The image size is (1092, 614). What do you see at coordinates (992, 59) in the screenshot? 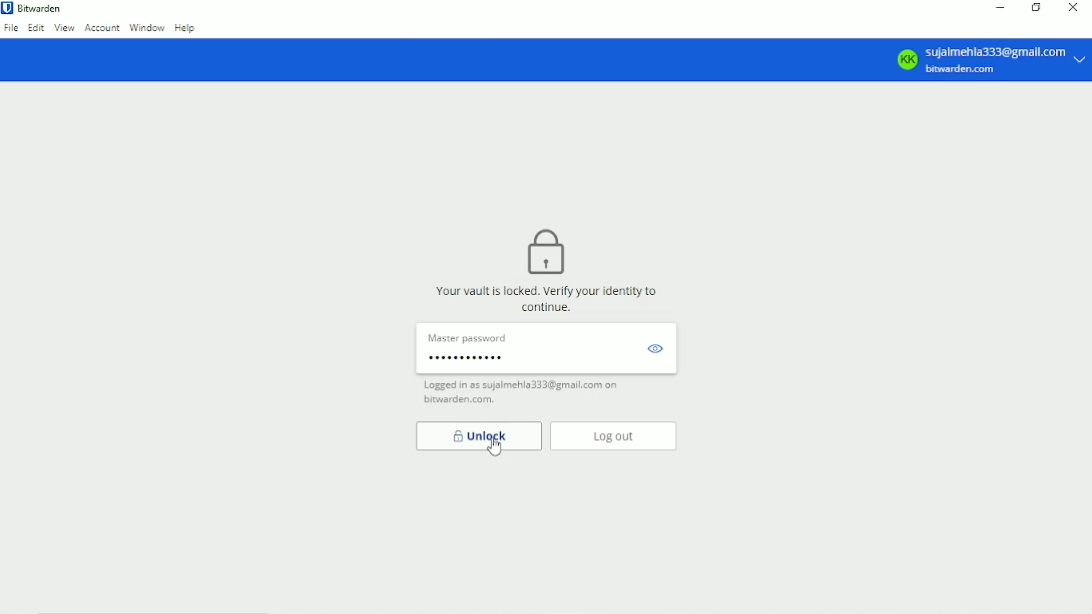
I see `sujaimehla333@gmall.com  bitwarden.com` at bounding box center [992, 59].